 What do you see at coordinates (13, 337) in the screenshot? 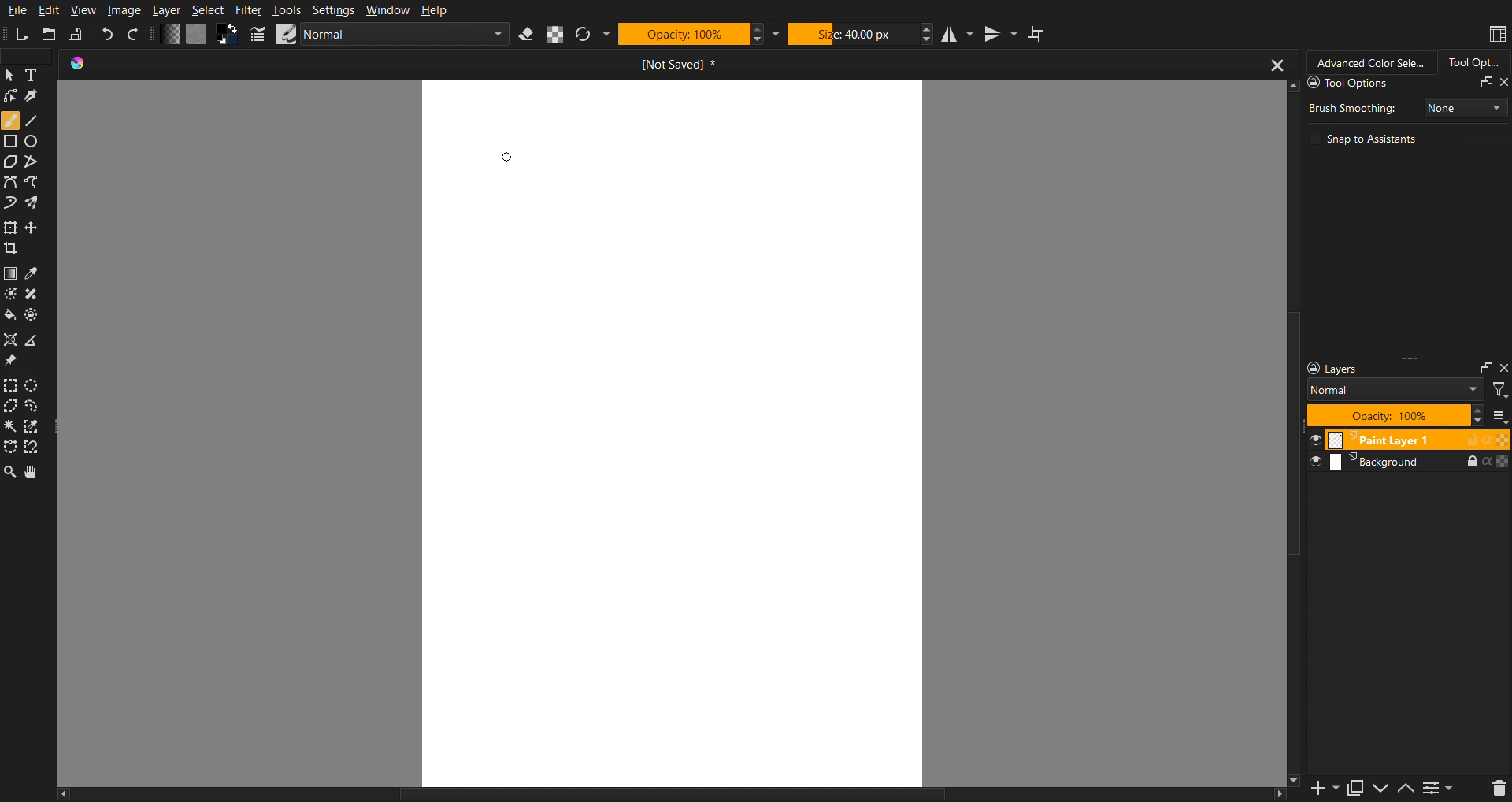
I see `Misc Tools` at bounding box center [13, 337].